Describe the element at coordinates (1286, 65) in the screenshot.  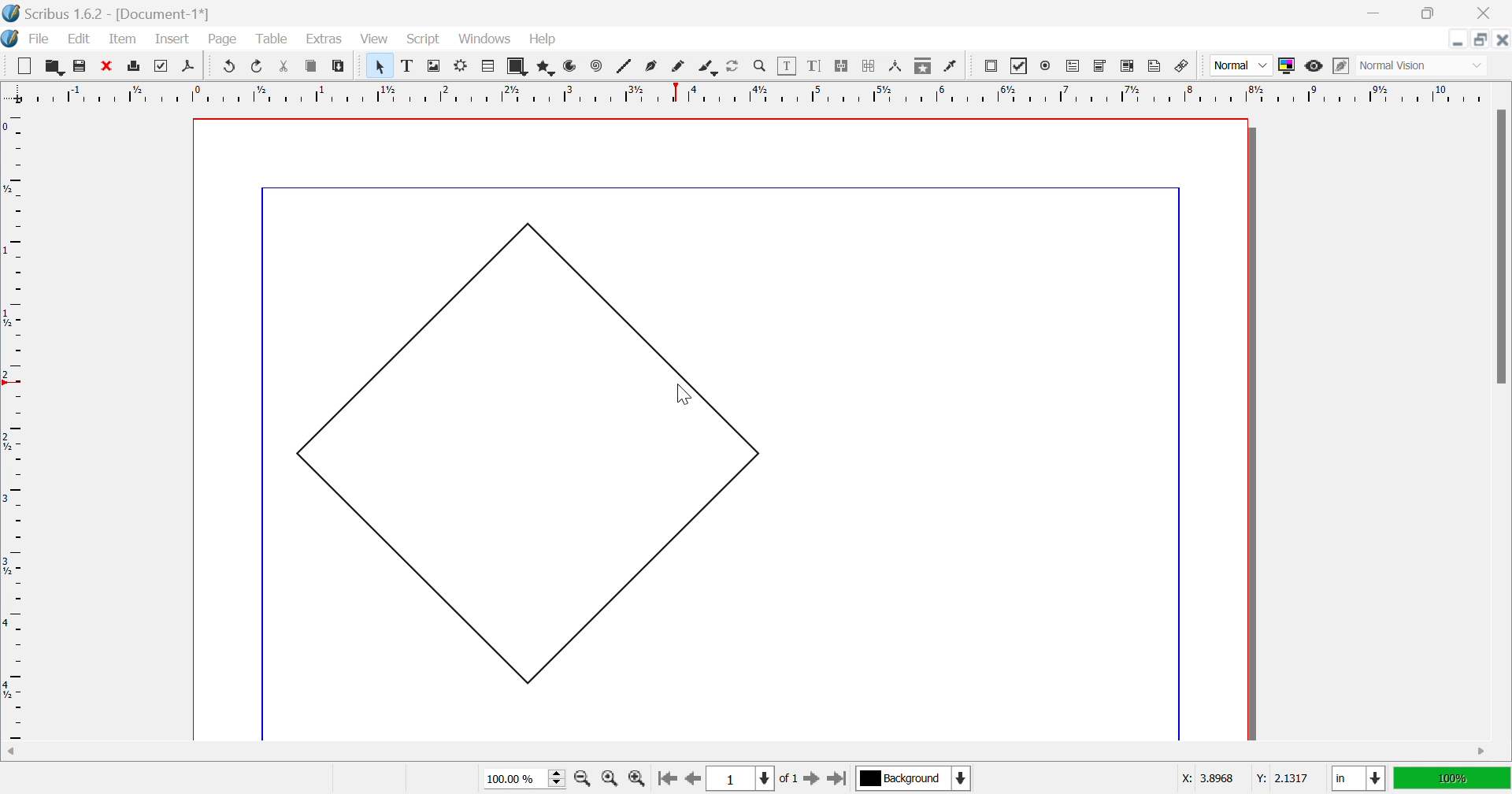
I see `Toggle Color Management System` at that location.